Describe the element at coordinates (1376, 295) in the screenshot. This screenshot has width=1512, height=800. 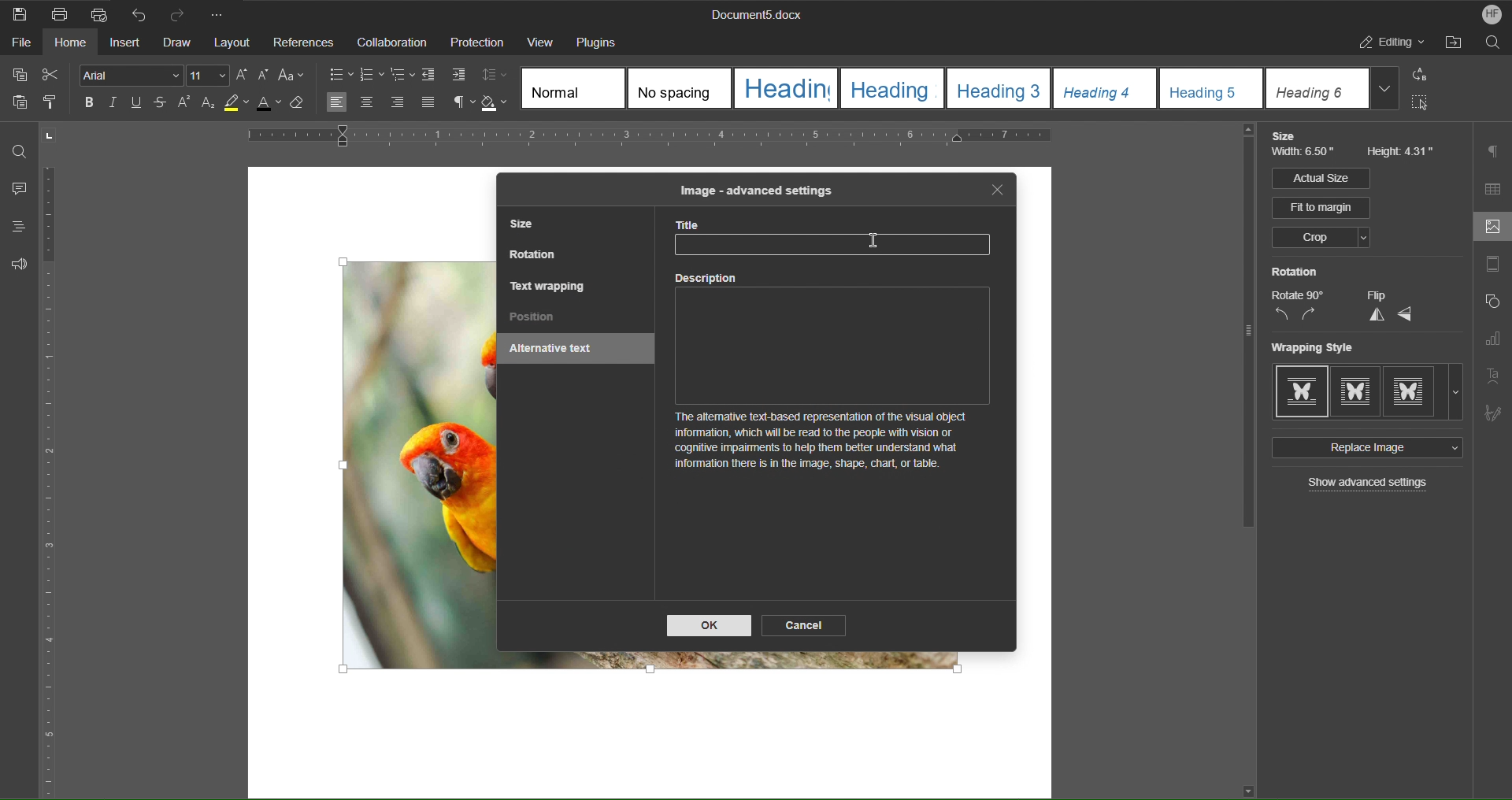
I see `Flip` at that location.